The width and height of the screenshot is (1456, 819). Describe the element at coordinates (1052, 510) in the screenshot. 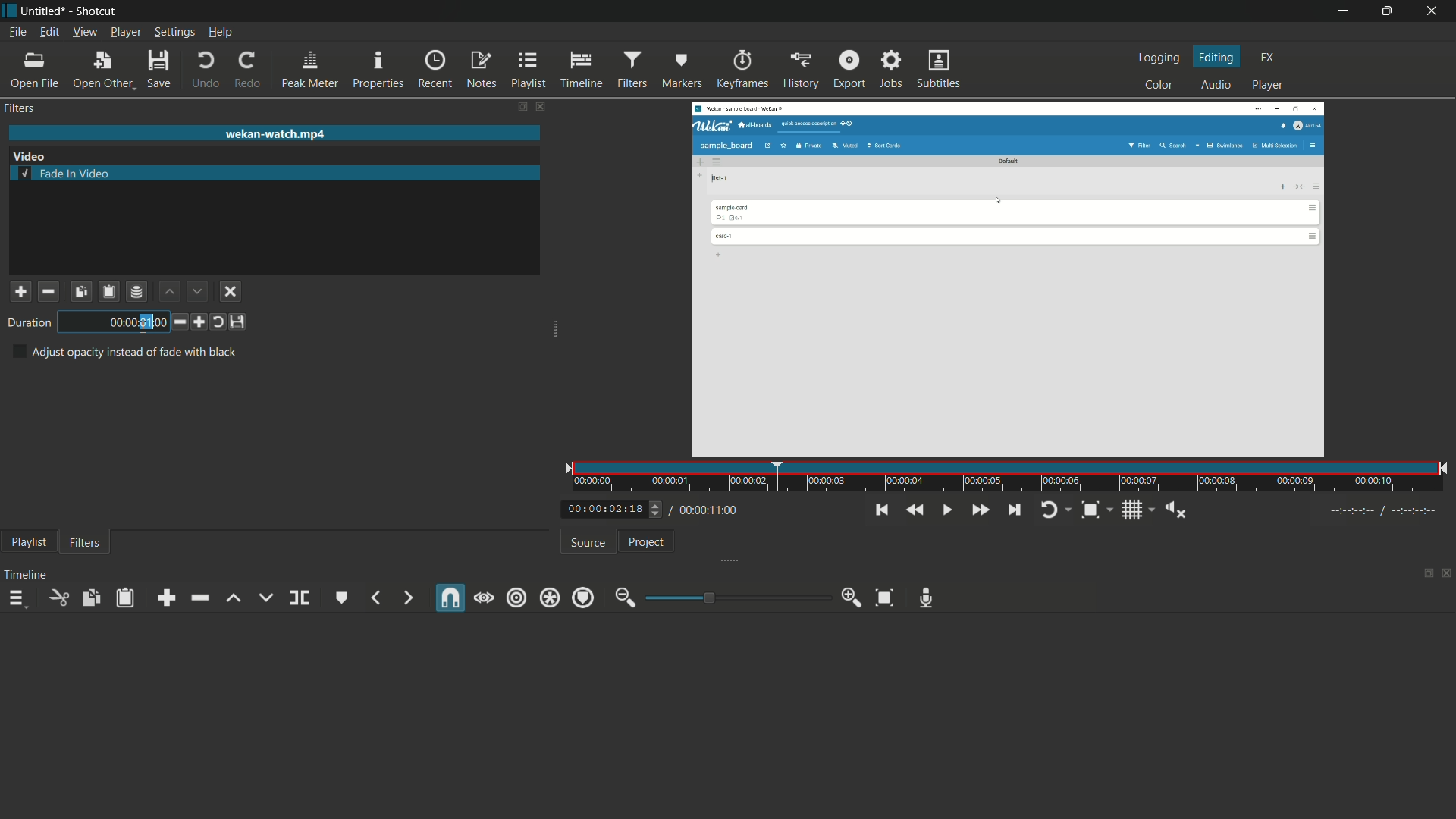

I see `toggle player logging` at that location.